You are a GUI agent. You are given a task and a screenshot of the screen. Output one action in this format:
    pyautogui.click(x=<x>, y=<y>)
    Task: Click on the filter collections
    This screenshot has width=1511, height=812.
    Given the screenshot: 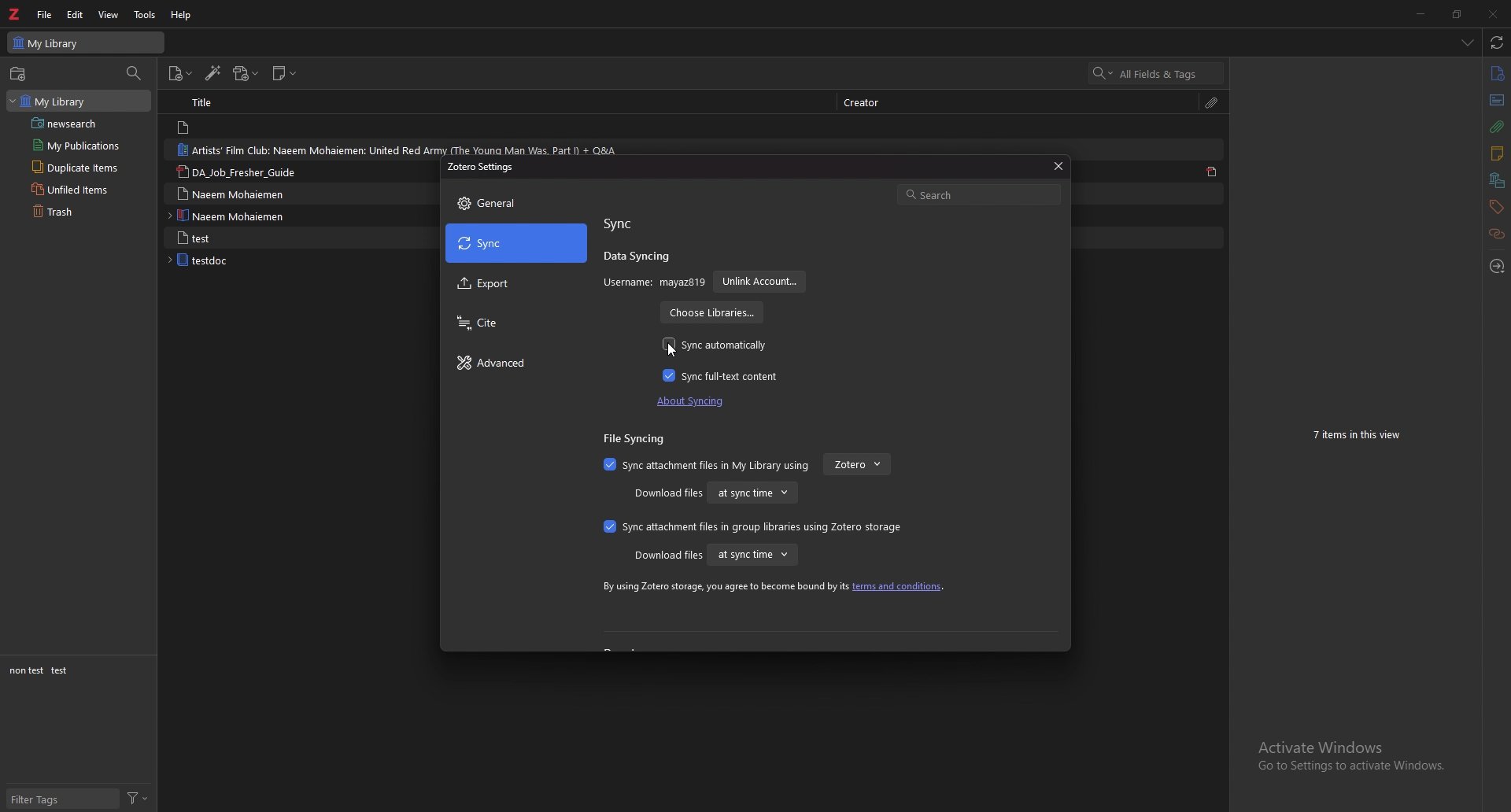 What is the action you would take?
    pyautogui.click(x=135, y=73)
    